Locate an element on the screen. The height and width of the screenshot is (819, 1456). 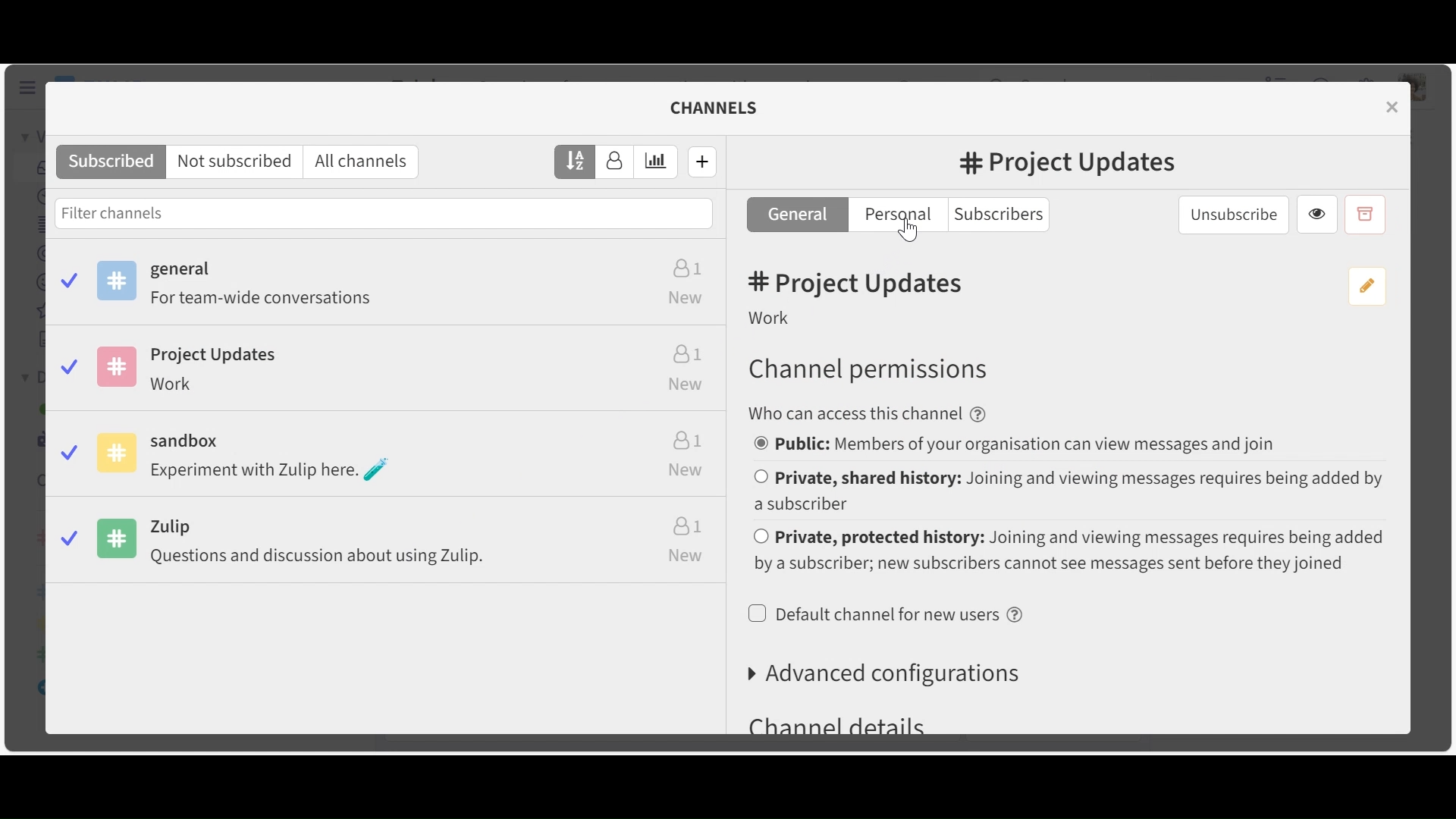
Advanced configurations is located at coordinates (886, 675).